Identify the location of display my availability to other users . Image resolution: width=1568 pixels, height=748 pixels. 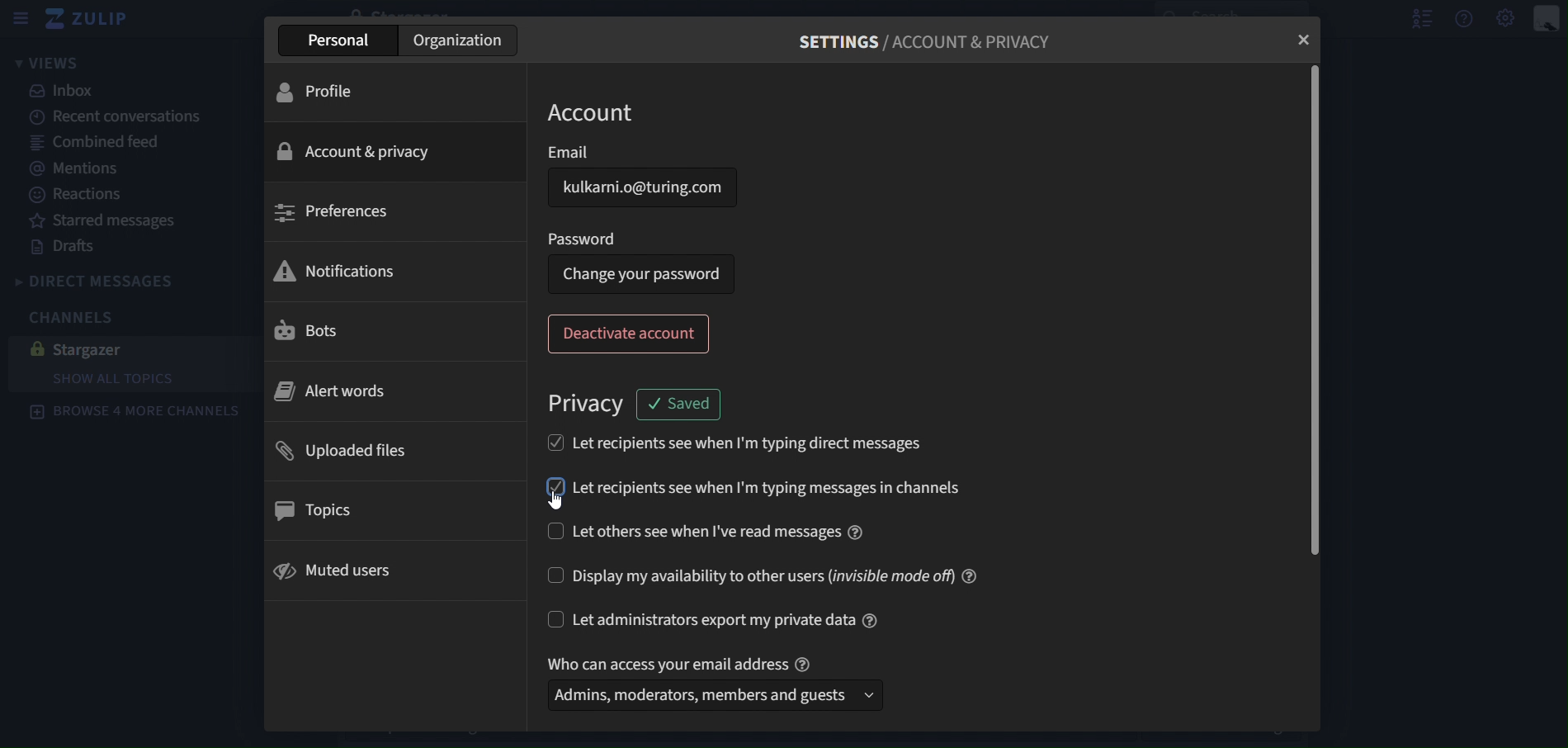
(758, 576).